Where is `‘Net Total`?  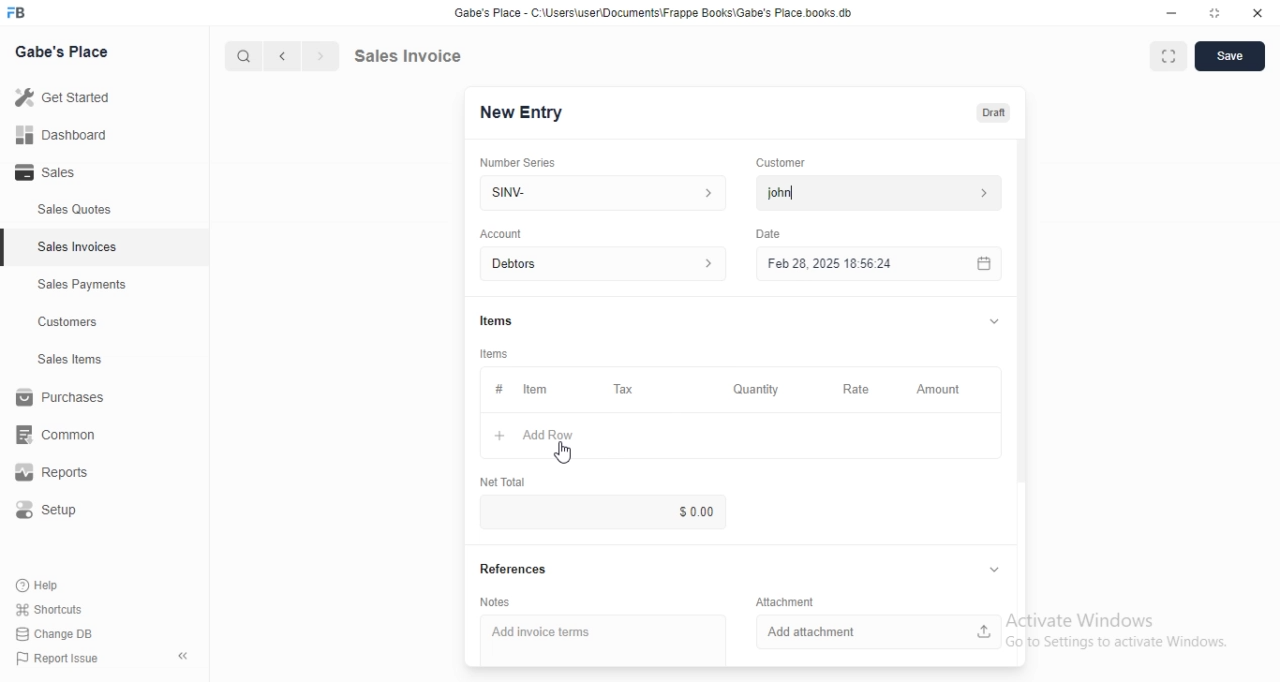
‘Net Total is located at coordinates (504, 480).